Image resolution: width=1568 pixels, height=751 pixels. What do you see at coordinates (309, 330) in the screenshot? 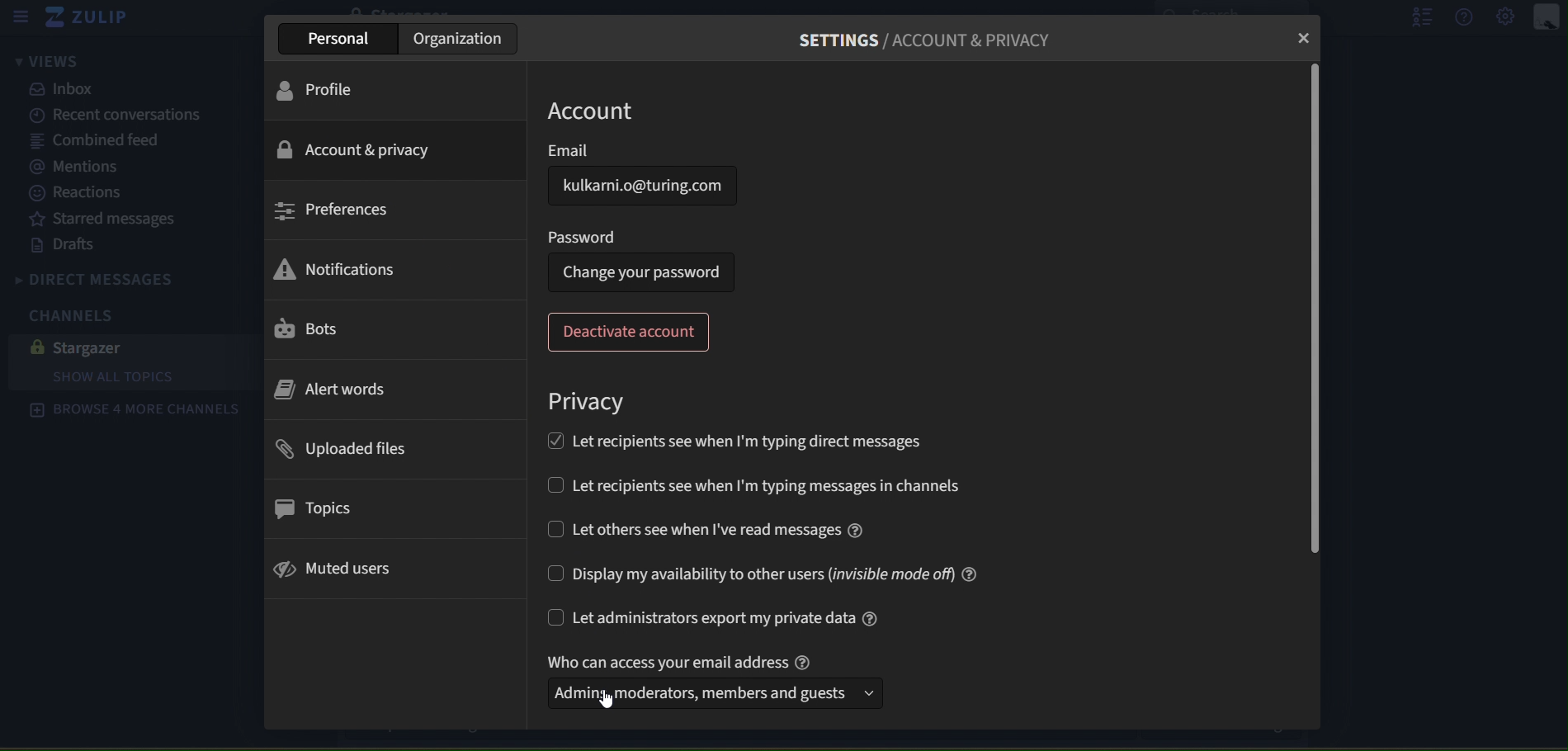
I see `bots` at bounding box center [309, 330].